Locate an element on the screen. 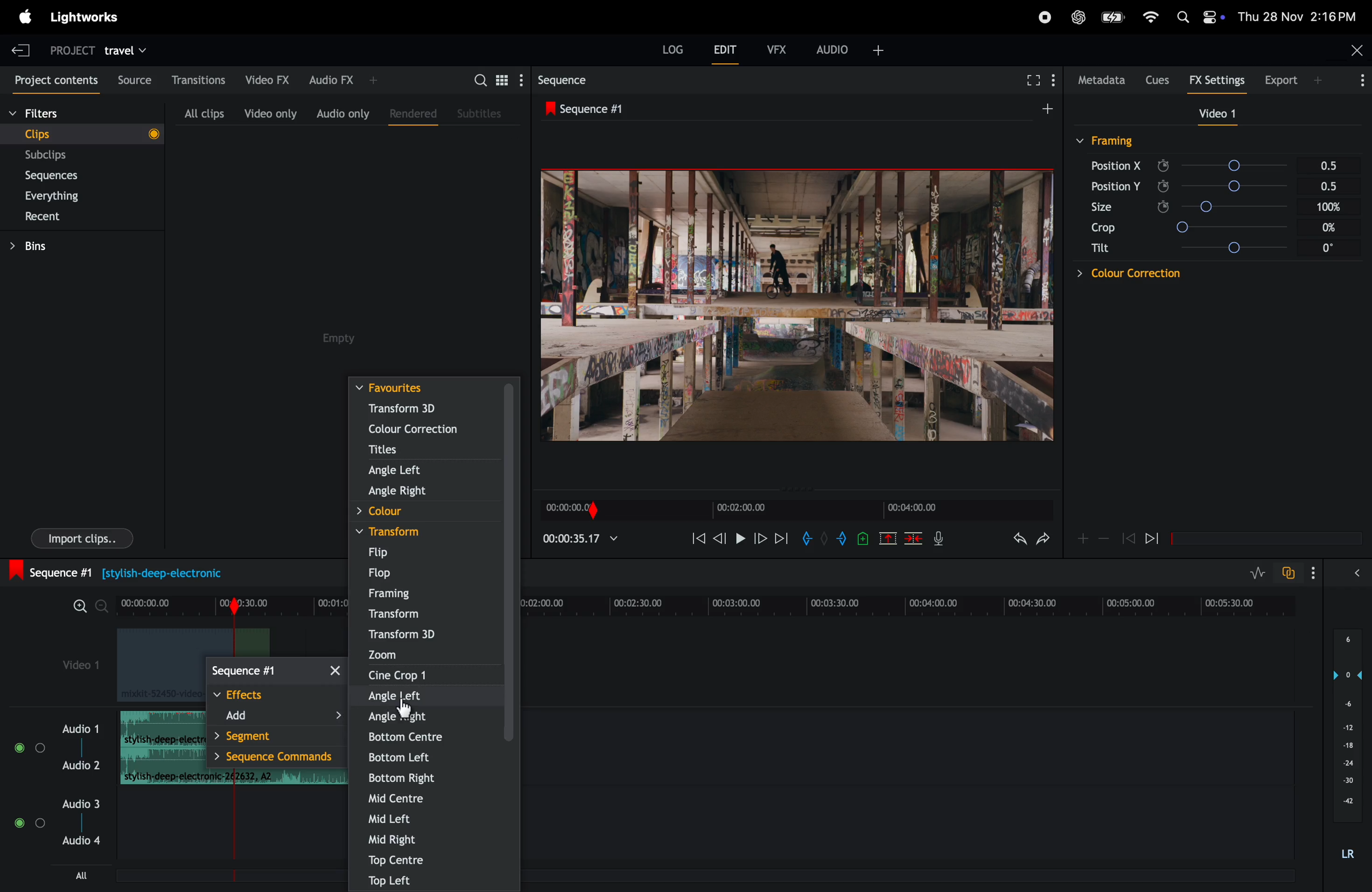 Image resolution: width=1372 pixels, height=892 pixels. output video is located at coordinates (796, 306).